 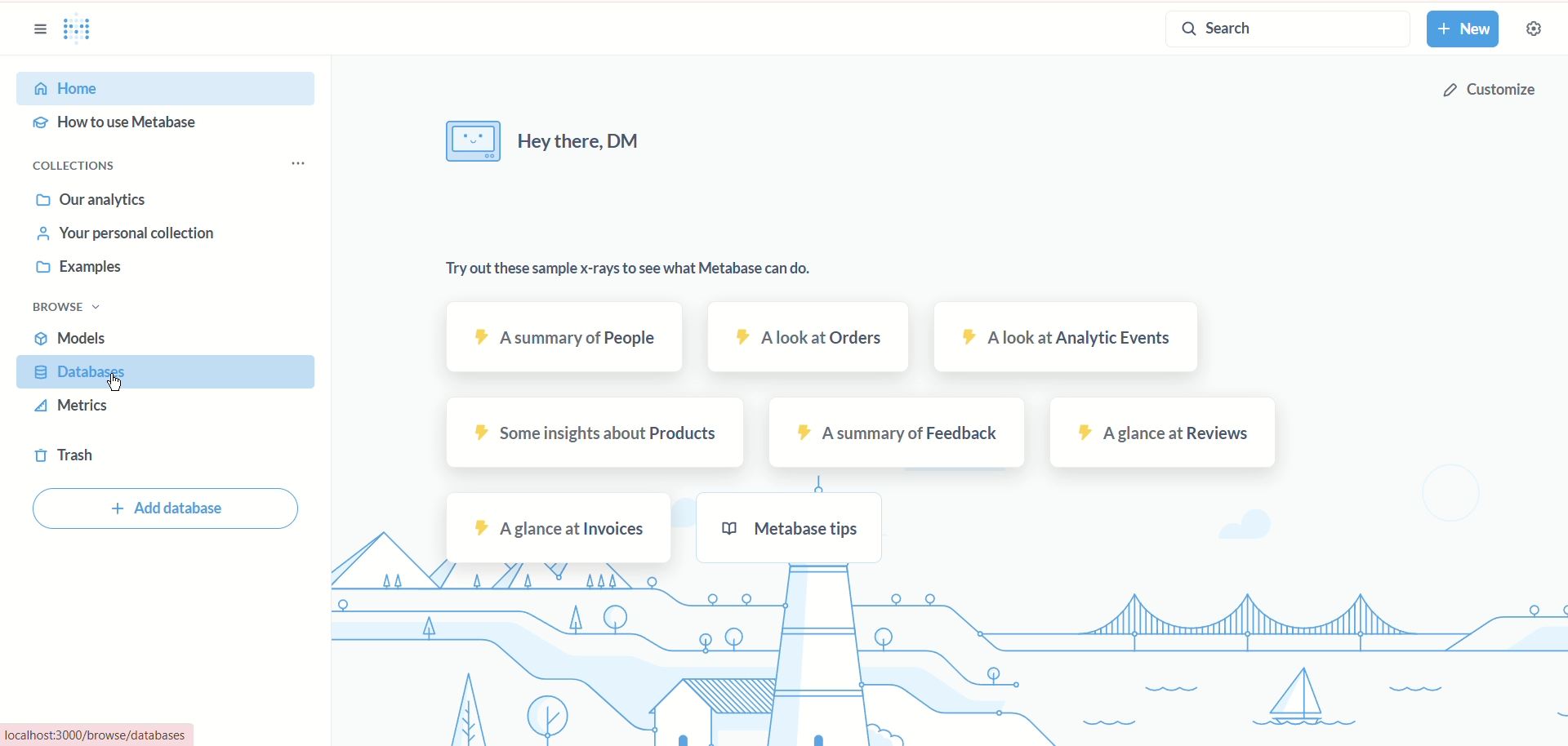 I want to click on Metabase tips, so click(x=787, y=529).